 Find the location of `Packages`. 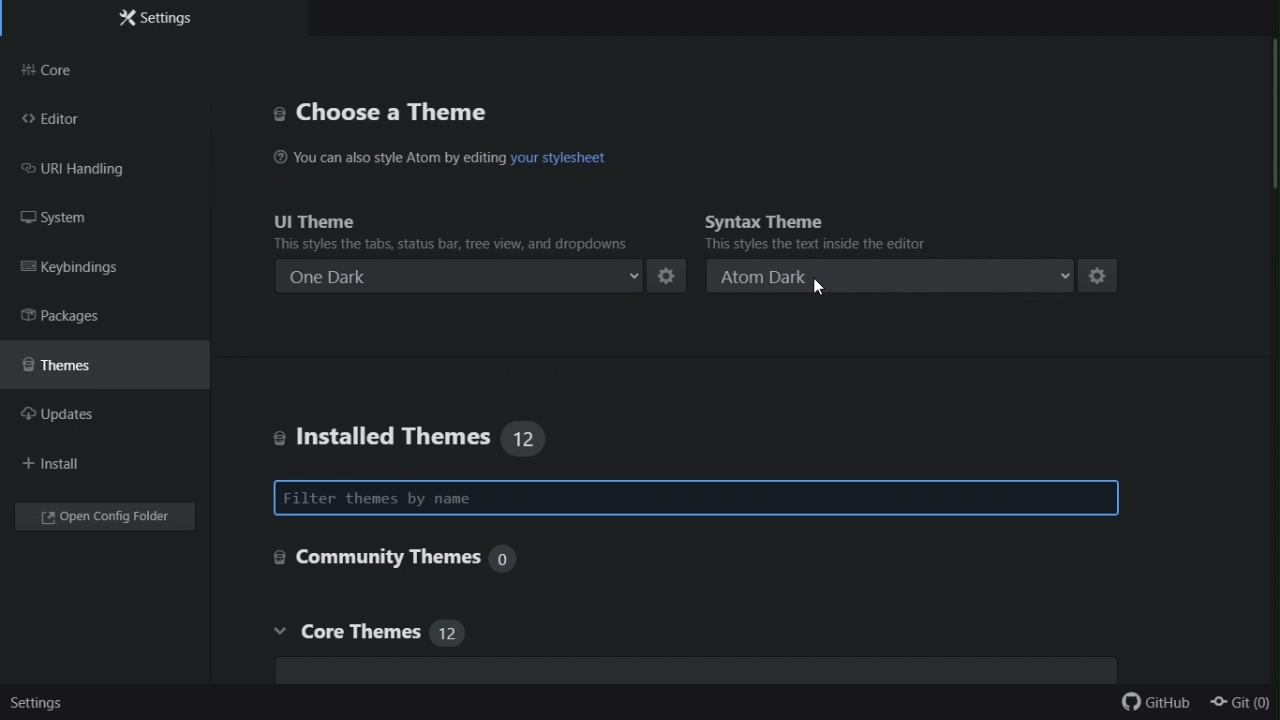

Packages is located at coordinates (76, 318).